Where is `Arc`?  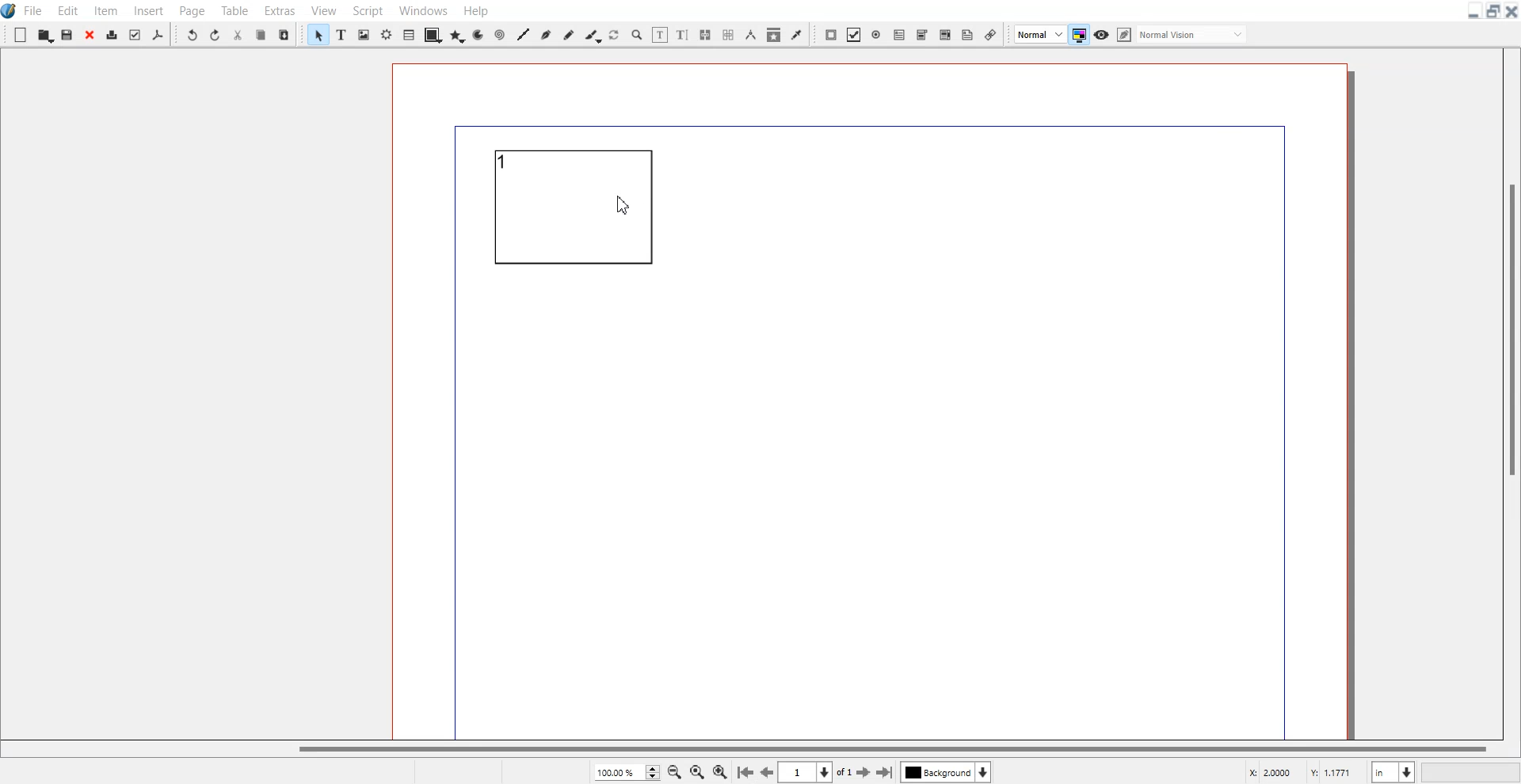
Arc is located at coordinates (478, 34).